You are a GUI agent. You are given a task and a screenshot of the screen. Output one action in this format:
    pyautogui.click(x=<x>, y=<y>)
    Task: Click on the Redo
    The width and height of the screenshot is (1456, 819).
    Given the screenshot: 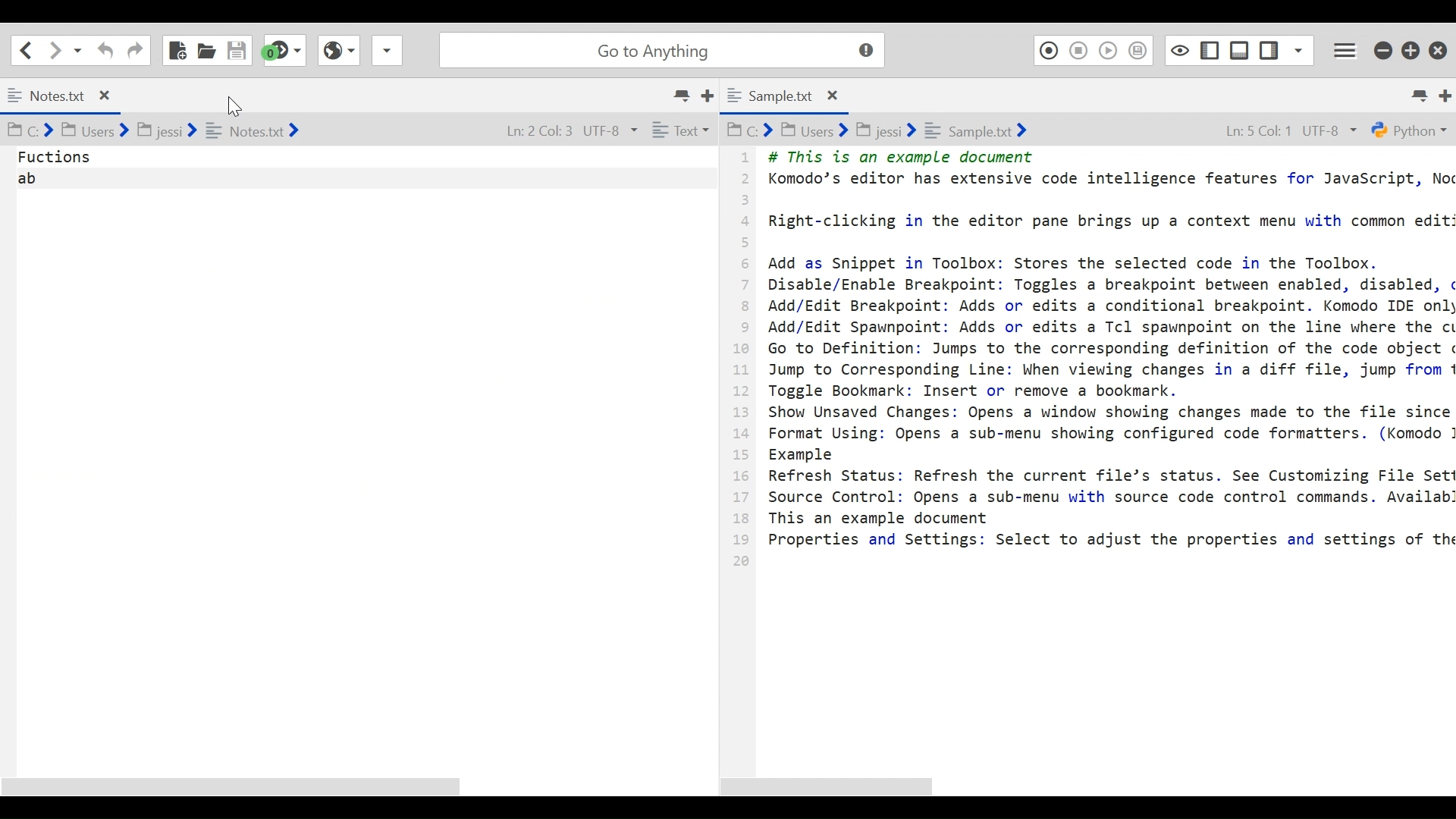 What is the action you would take?
    pyautogui.click(x=135, y=49)
    